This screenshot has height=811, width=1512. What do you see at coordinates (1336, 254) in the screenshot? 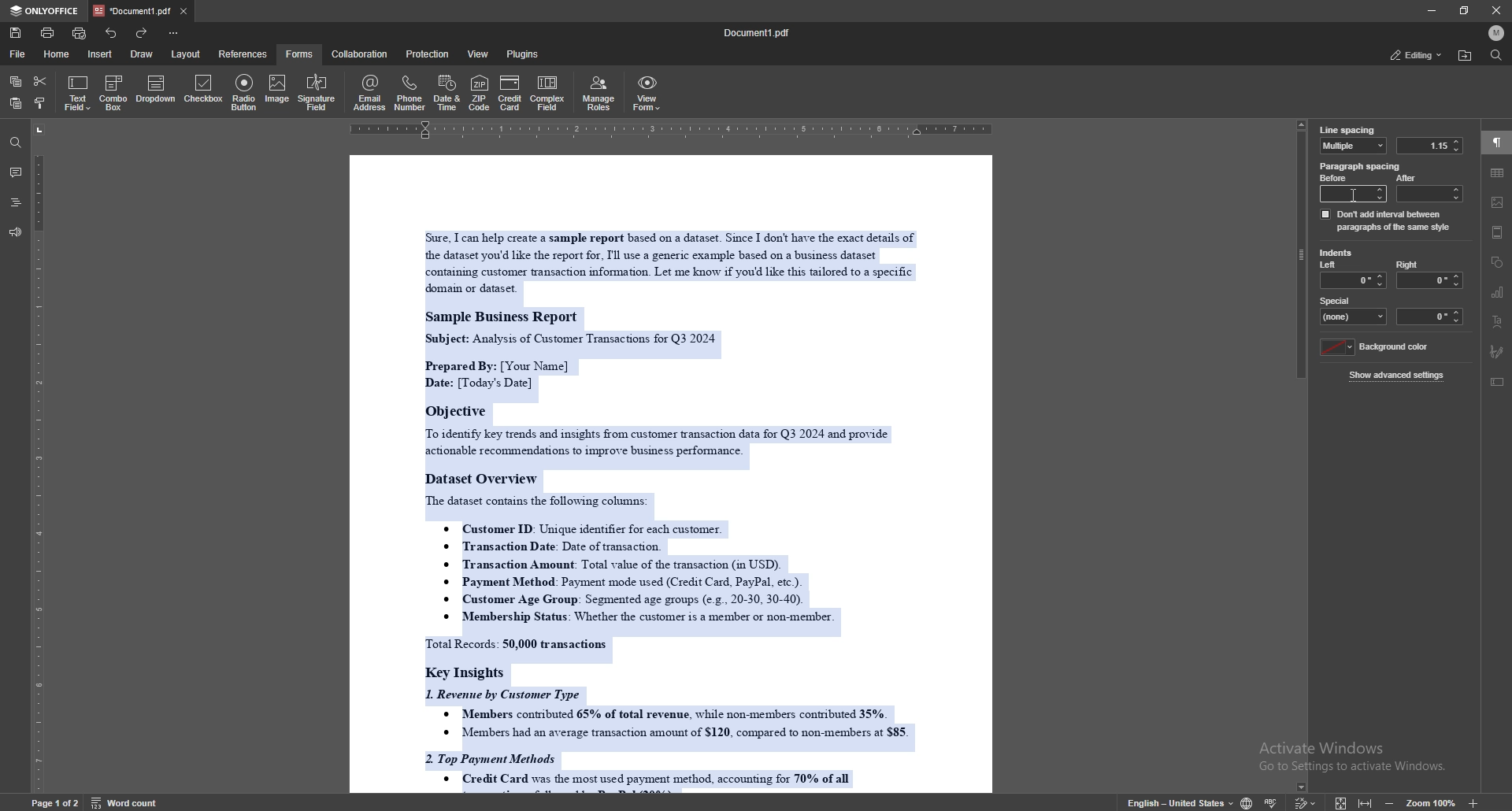
I see `indents` at bounding box center [1336, 254].